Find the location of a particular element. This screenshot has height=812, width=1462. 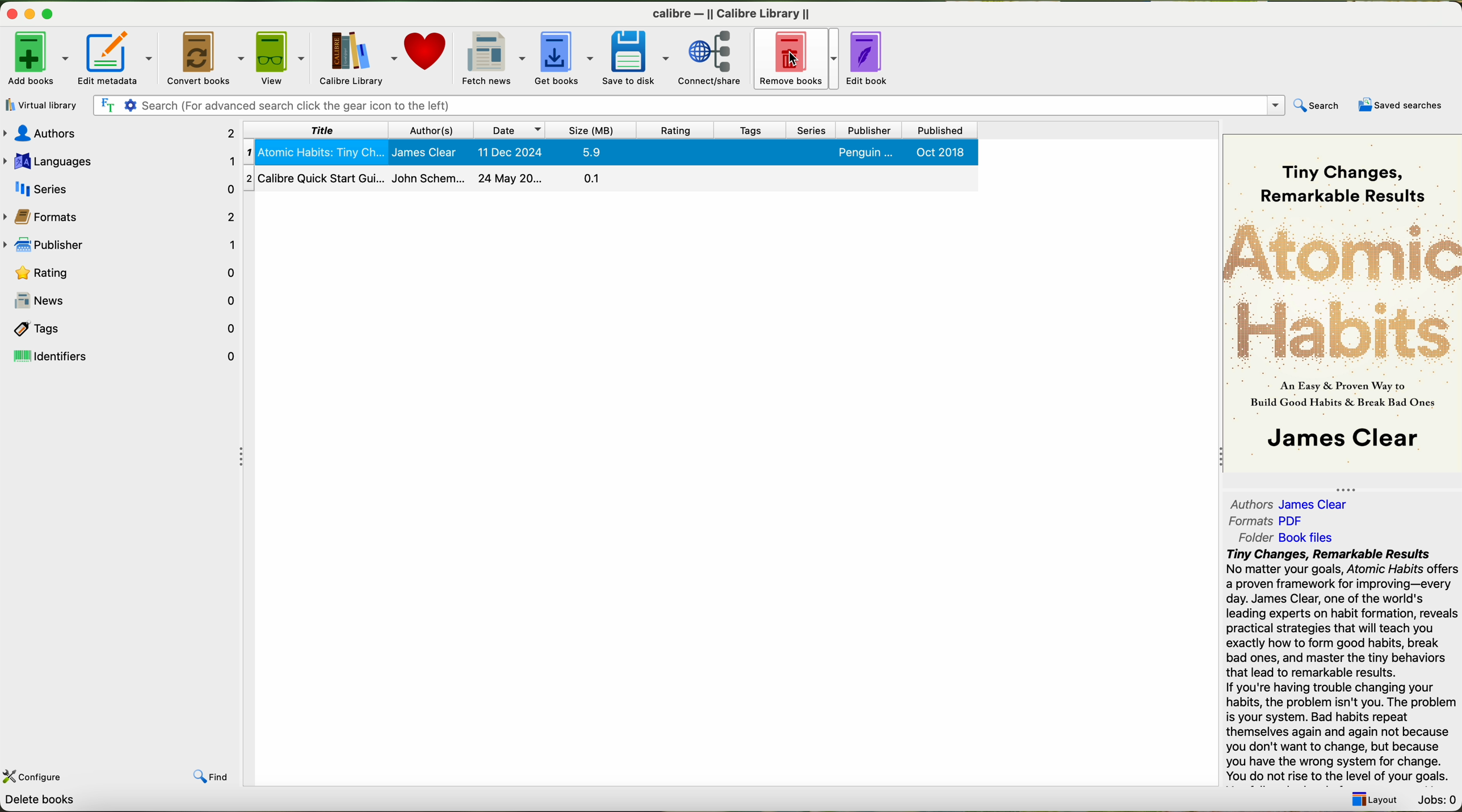

click on remove books is located at coordinates (794, 60).